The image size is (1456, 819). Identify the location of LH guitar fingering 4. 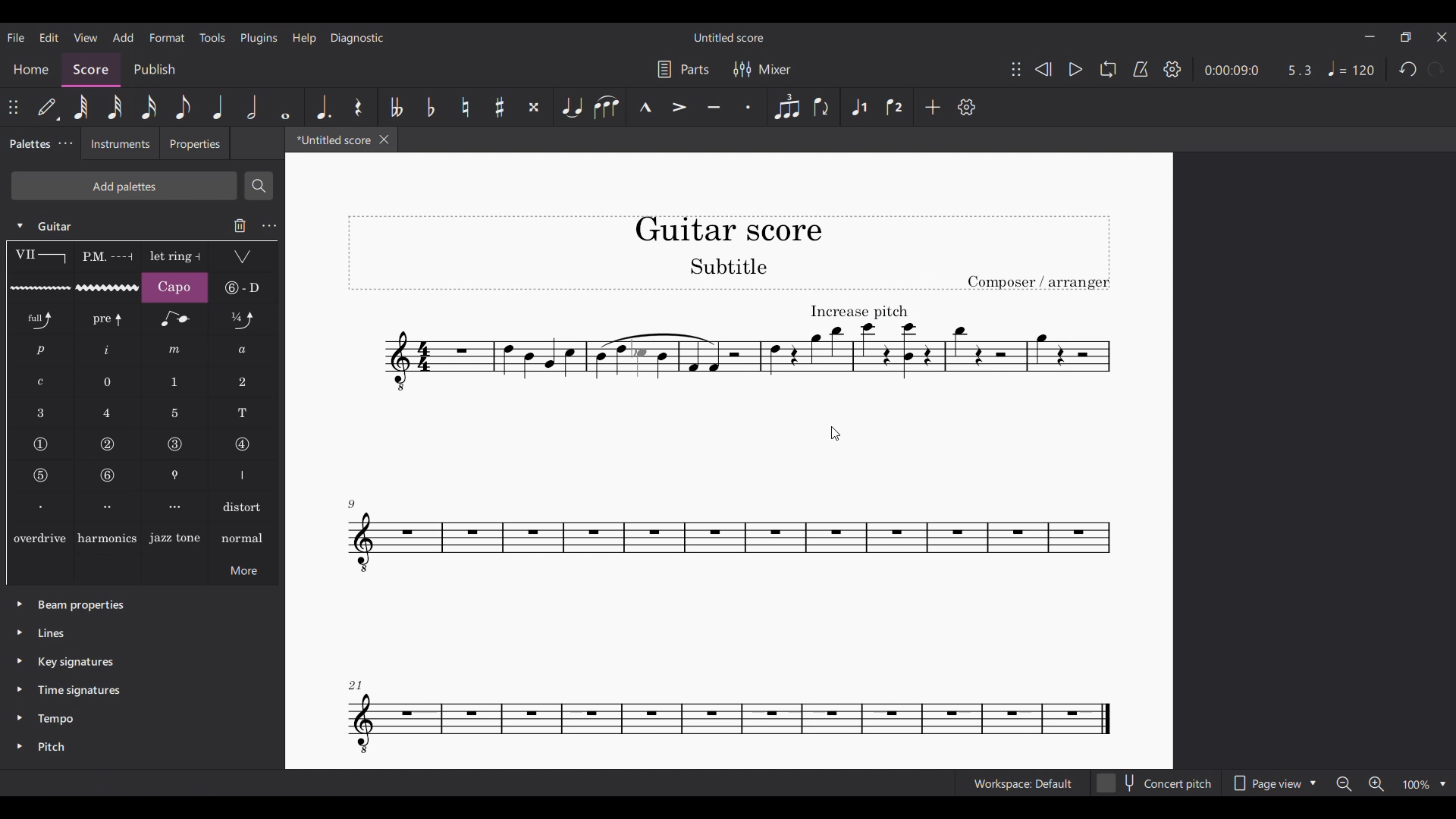
(108, 413).